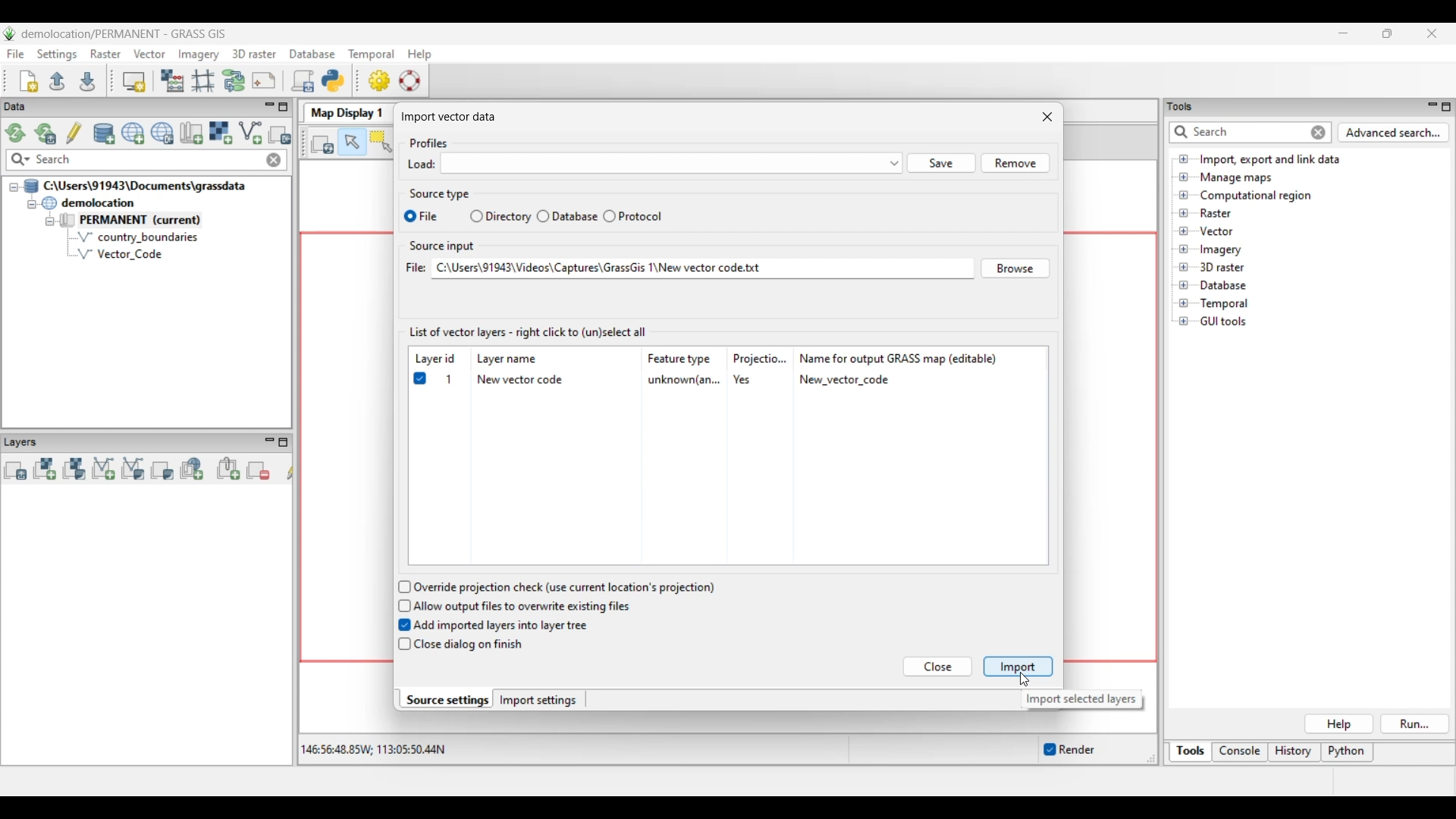 The image size is (1456, 819). I want to click on Add group, so click(228, 469).